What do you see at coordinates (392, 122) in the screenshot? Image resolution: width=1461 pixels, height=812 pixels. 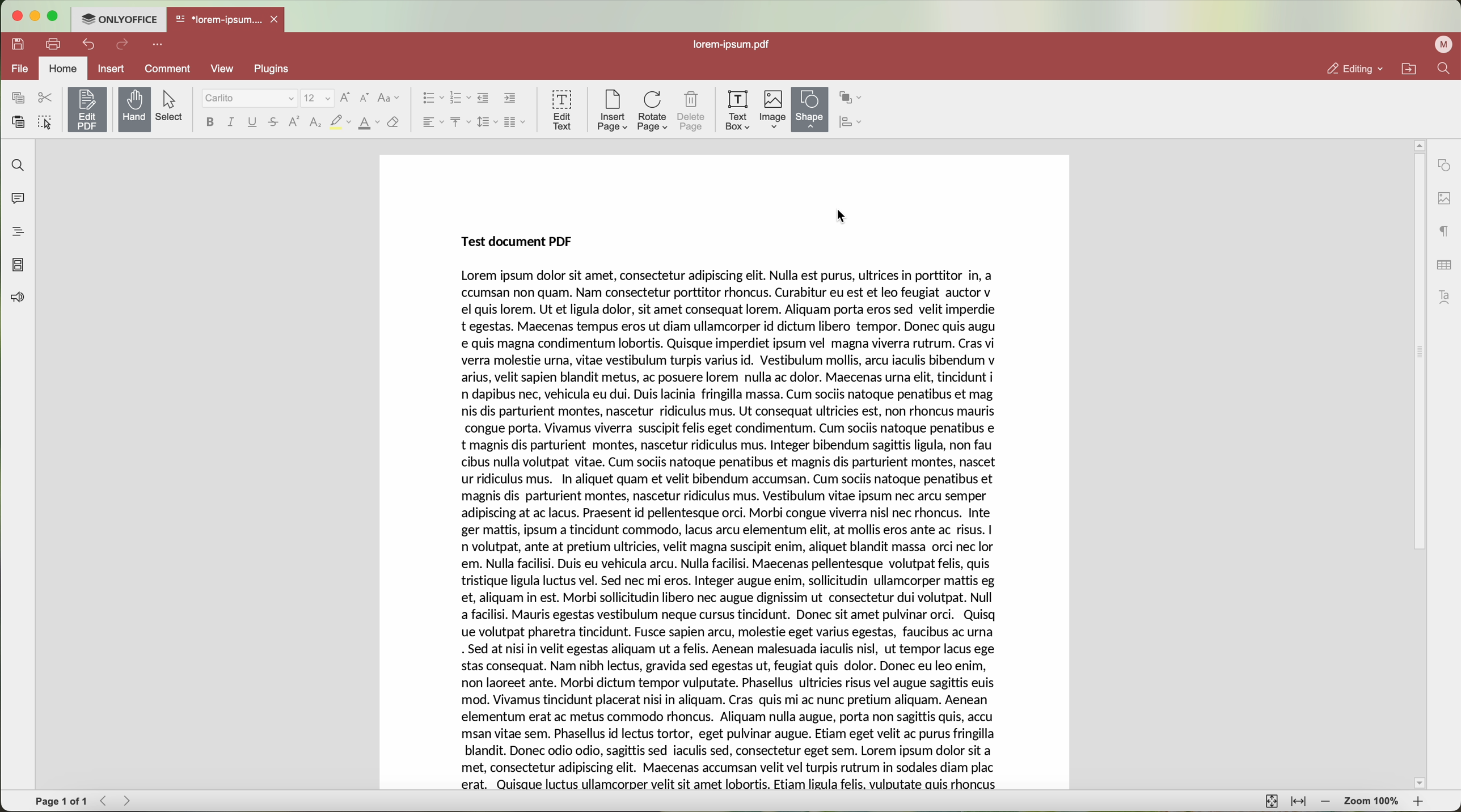 I see `clear style` at bounding box center [392, 122].